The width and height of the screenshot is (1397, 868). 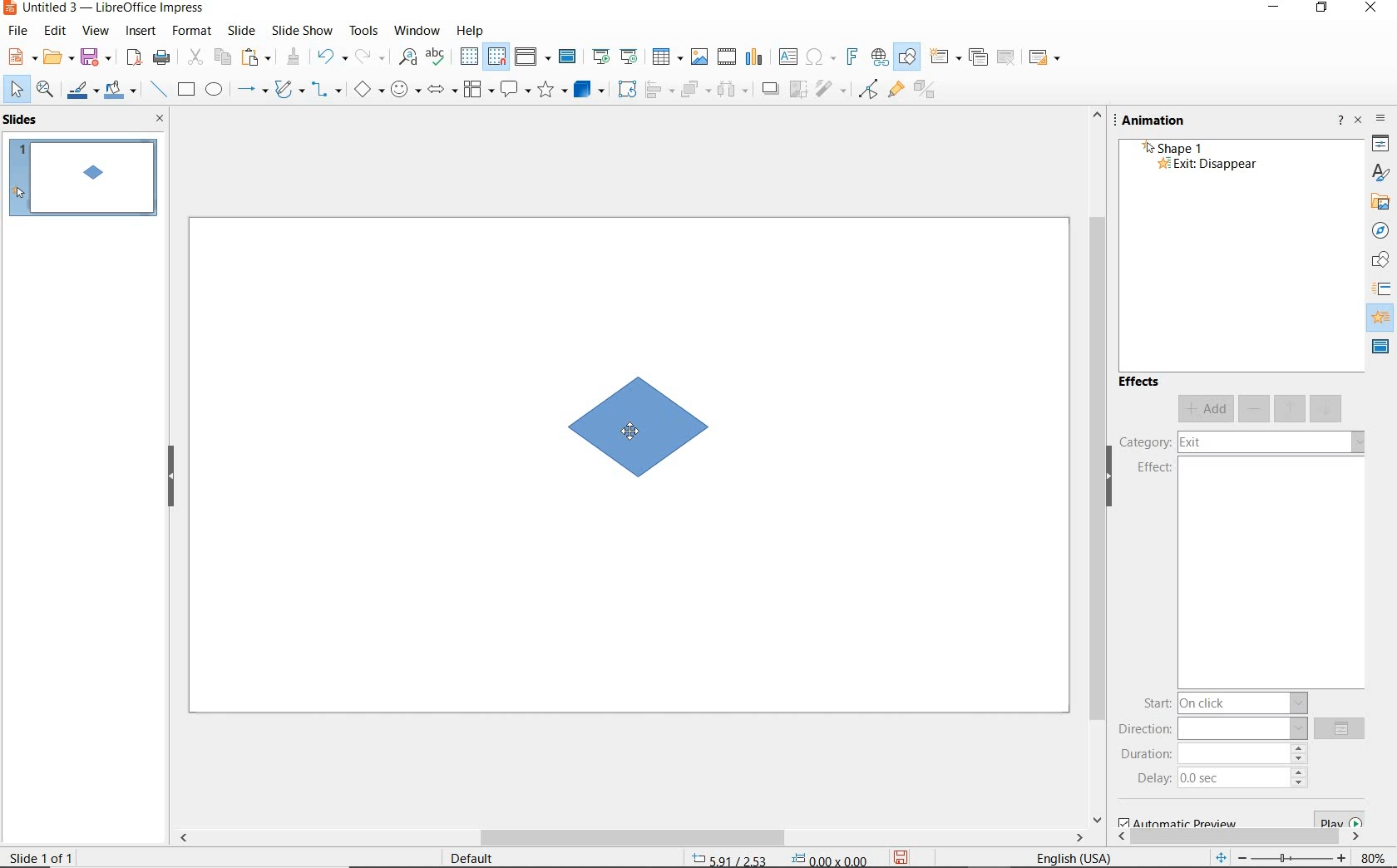 I want to click on hide, so click(x=170, y=478).